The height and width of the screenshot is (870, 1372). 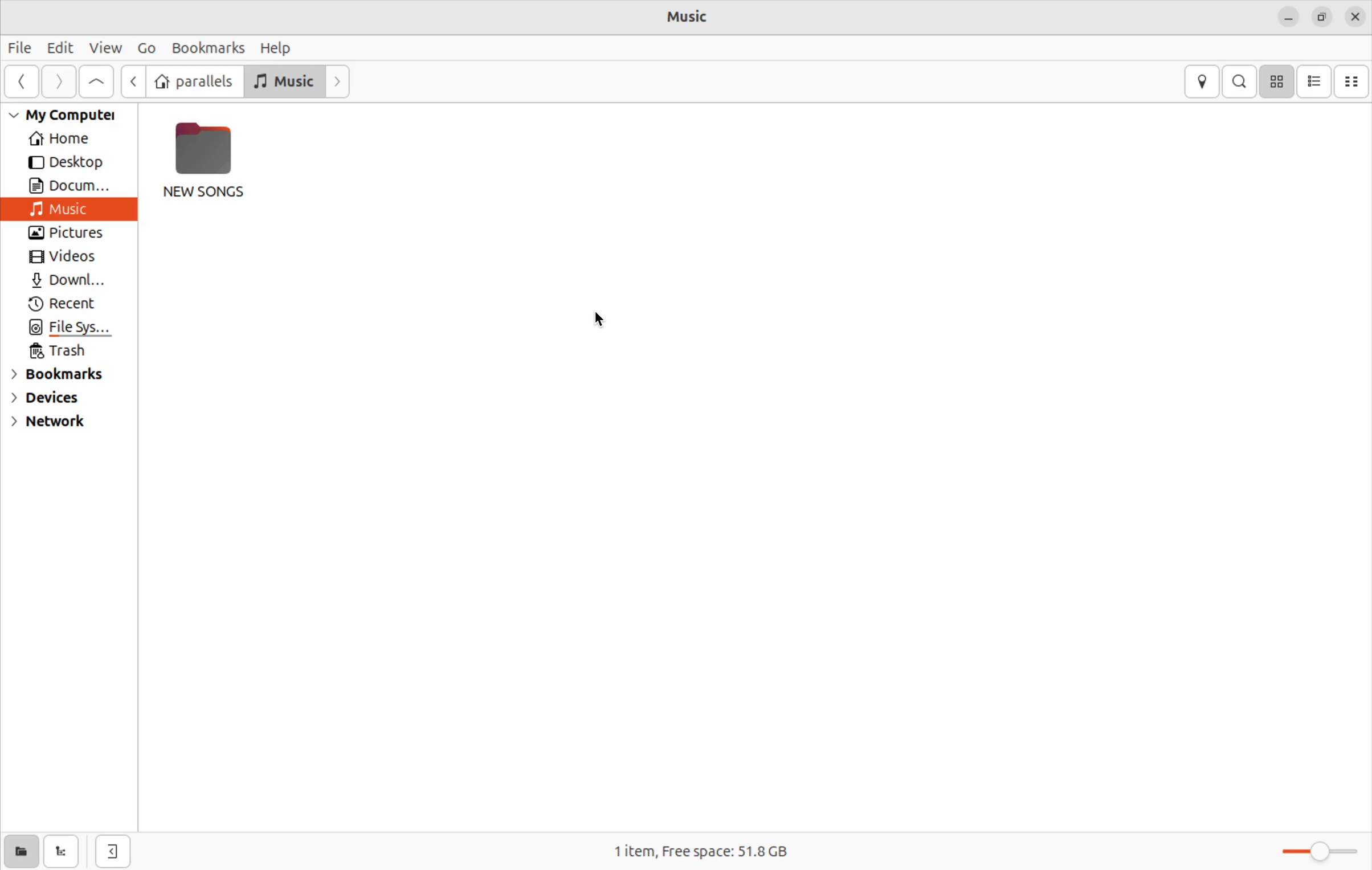 What do you see at coordinates (1278, 80) in the screenshot?
I see `icon view` at bounding box center [1278, 80].